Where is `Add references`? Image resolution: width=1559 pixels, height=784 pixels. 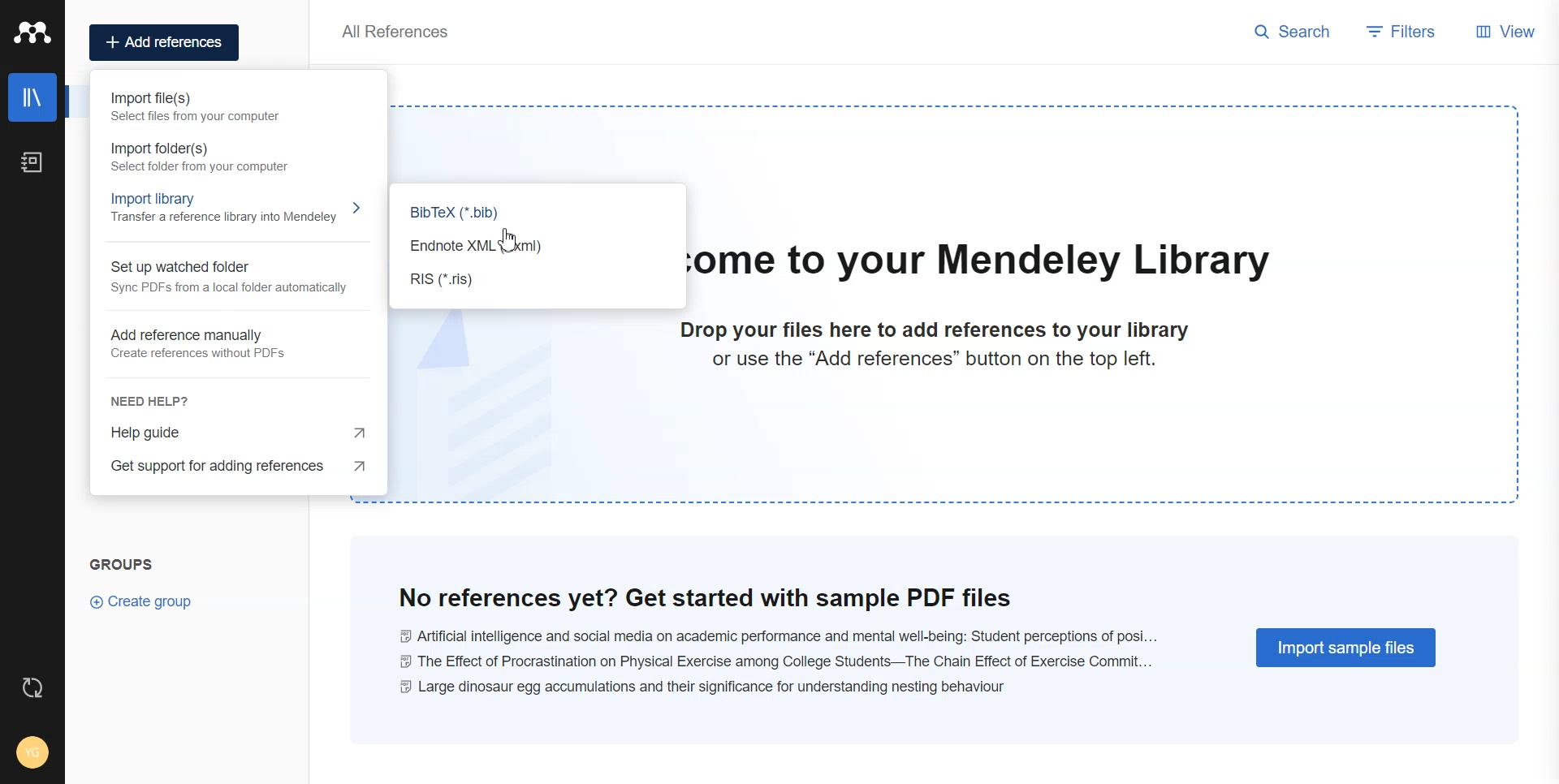
Add references is located at coordinates (166, 43).